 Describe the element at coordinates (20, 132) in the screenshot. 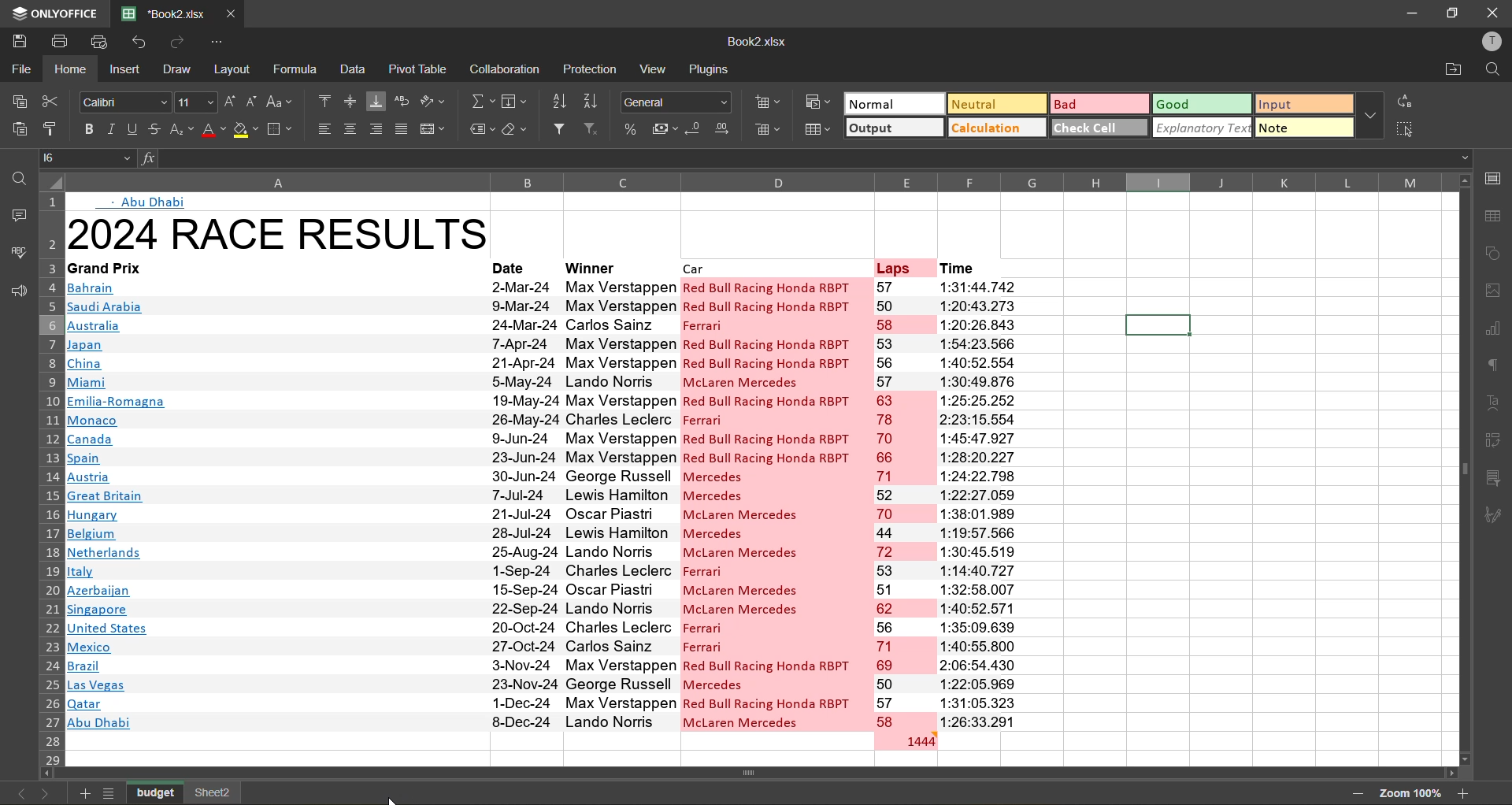

I see `paste` at that location.